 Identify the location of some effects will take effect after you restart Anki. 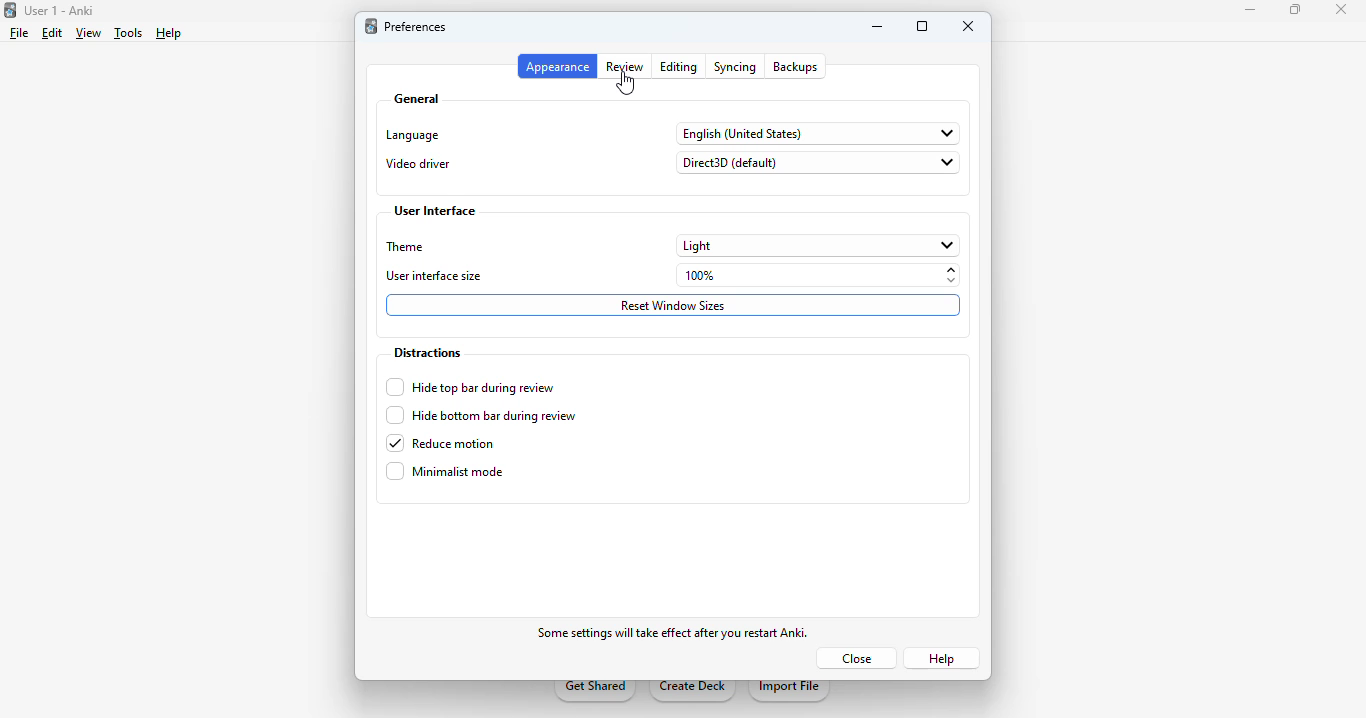
(676, 634).